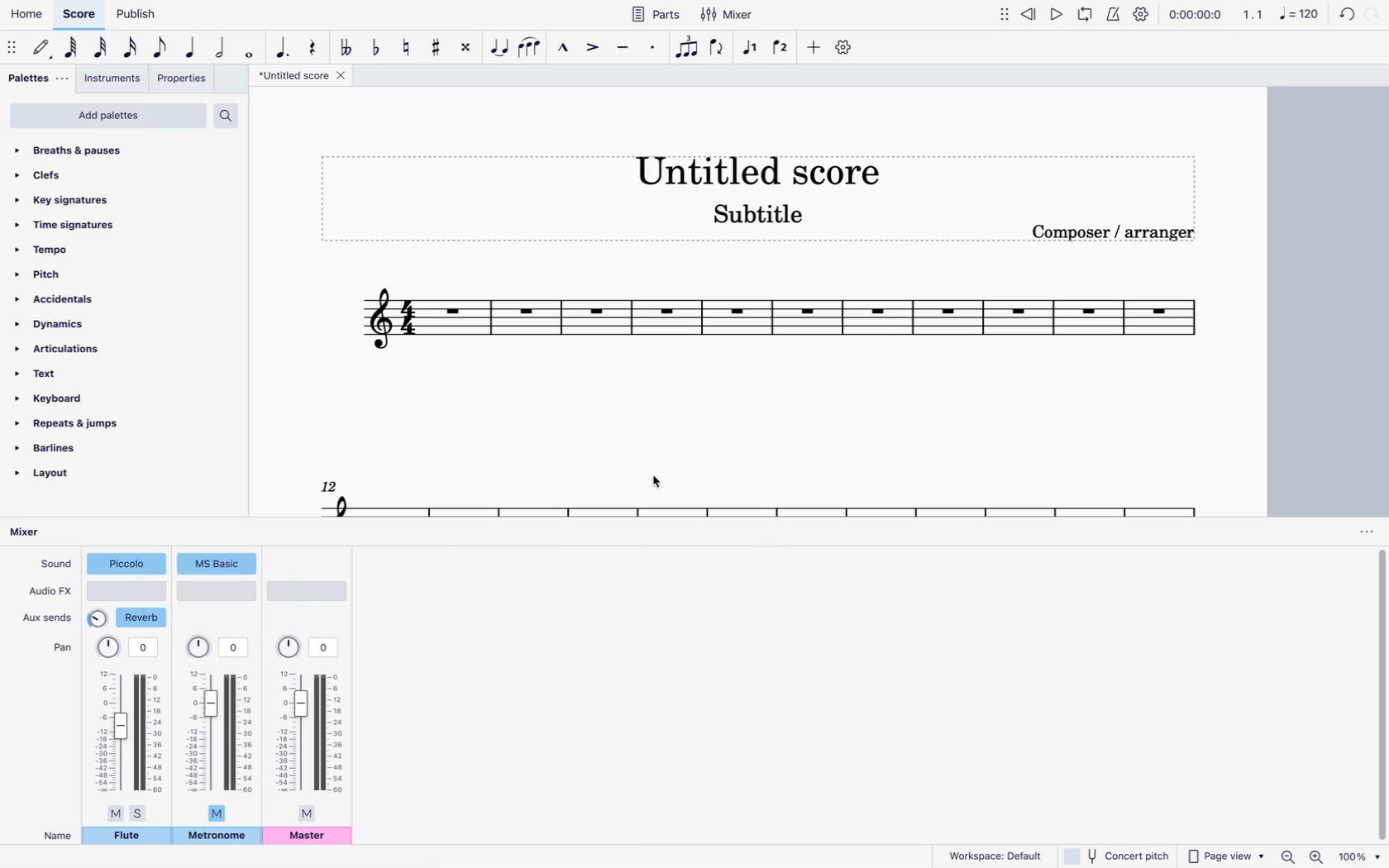  What do you see at coordinates (501, 46) in the screenshot?
I see `tie` at bounding box center [501, 46].